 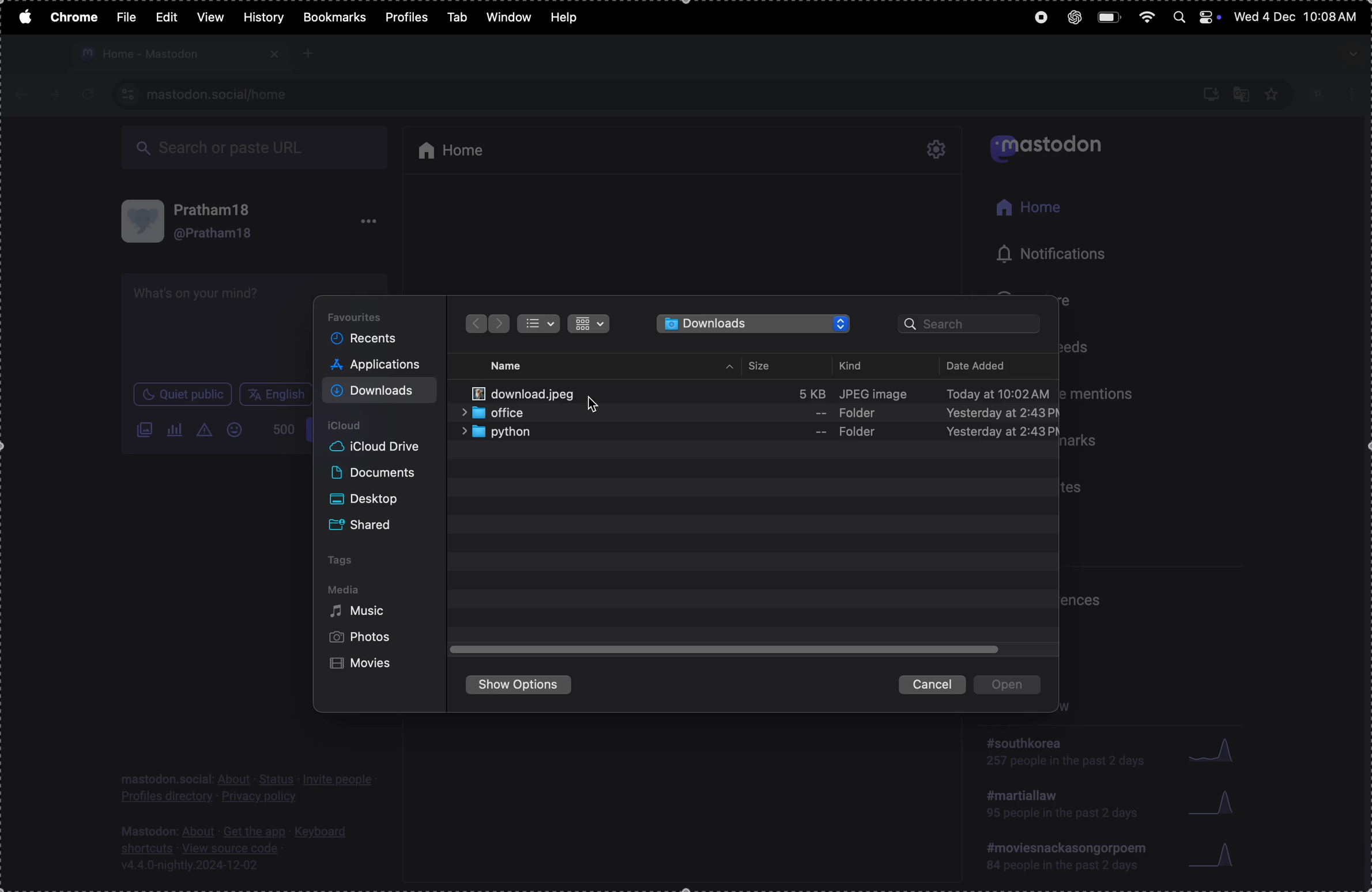 I want to click on Mastdon url, so click(x=221, y=94).